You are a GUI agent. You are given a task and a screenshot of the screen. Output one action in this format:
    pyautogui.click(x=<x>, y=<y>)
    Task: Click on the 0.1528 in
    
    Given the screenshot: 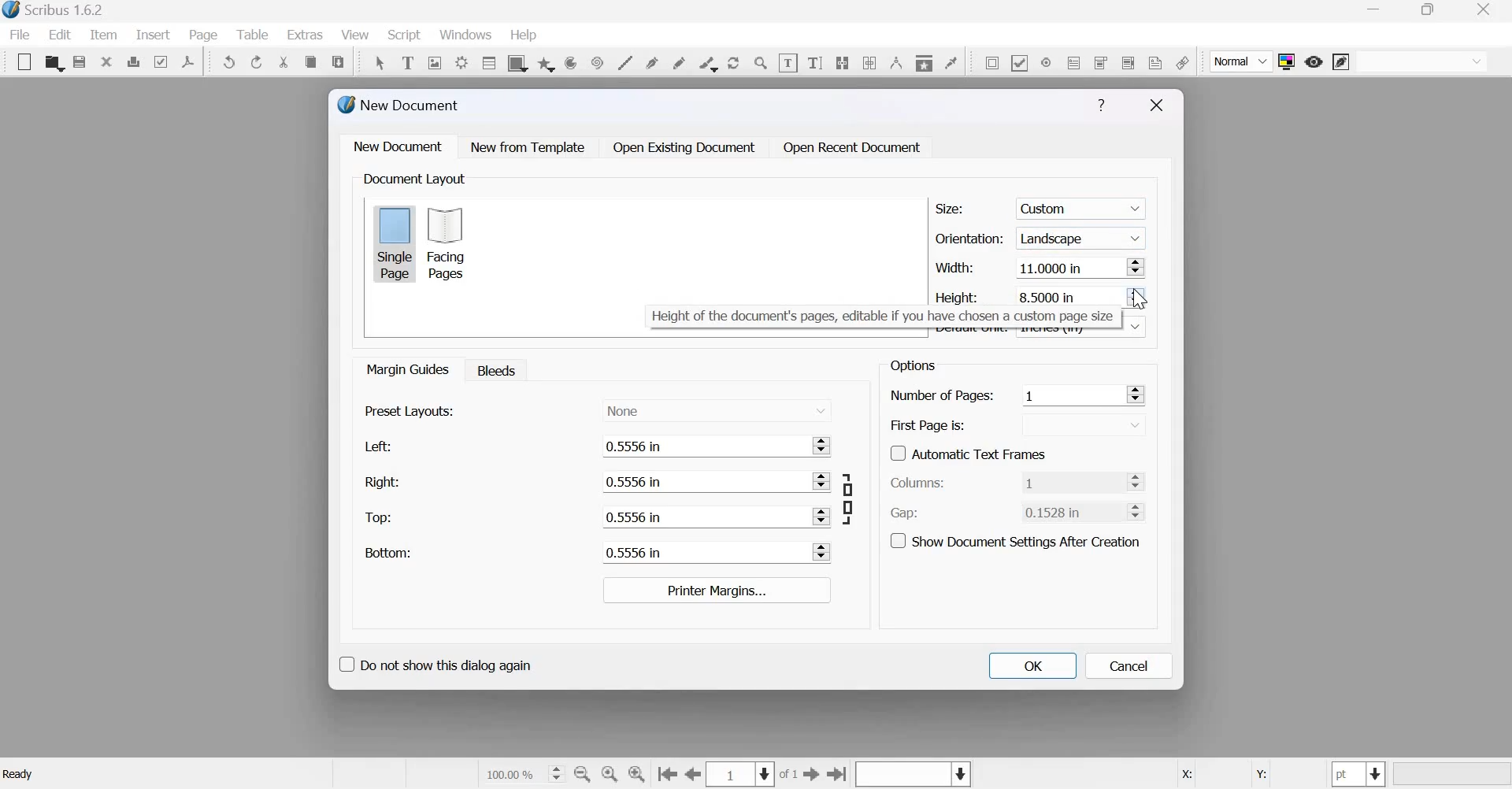 What is the action you would take?
    pyautogui.click(x=1068, y=511)
    